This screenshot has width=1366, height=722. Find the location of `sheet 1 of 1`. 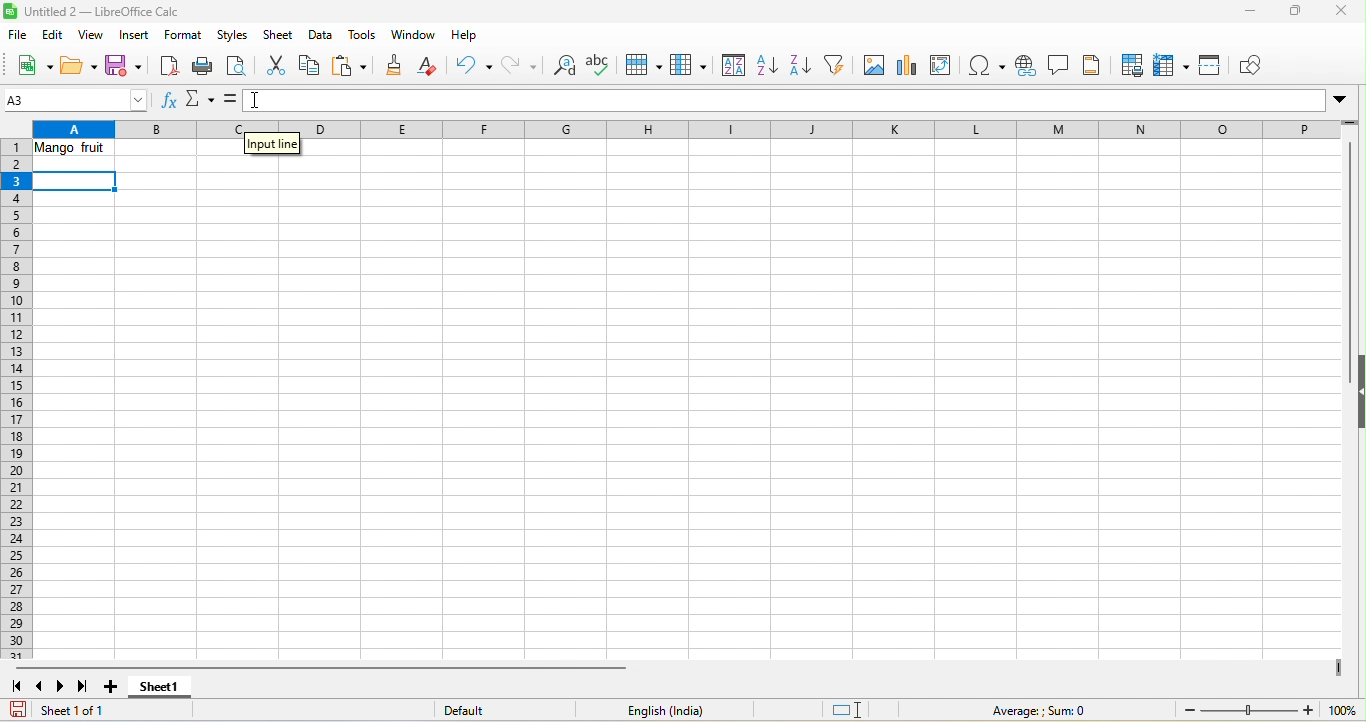

sheet 1 of 1 is located at coordinates (66, 710).